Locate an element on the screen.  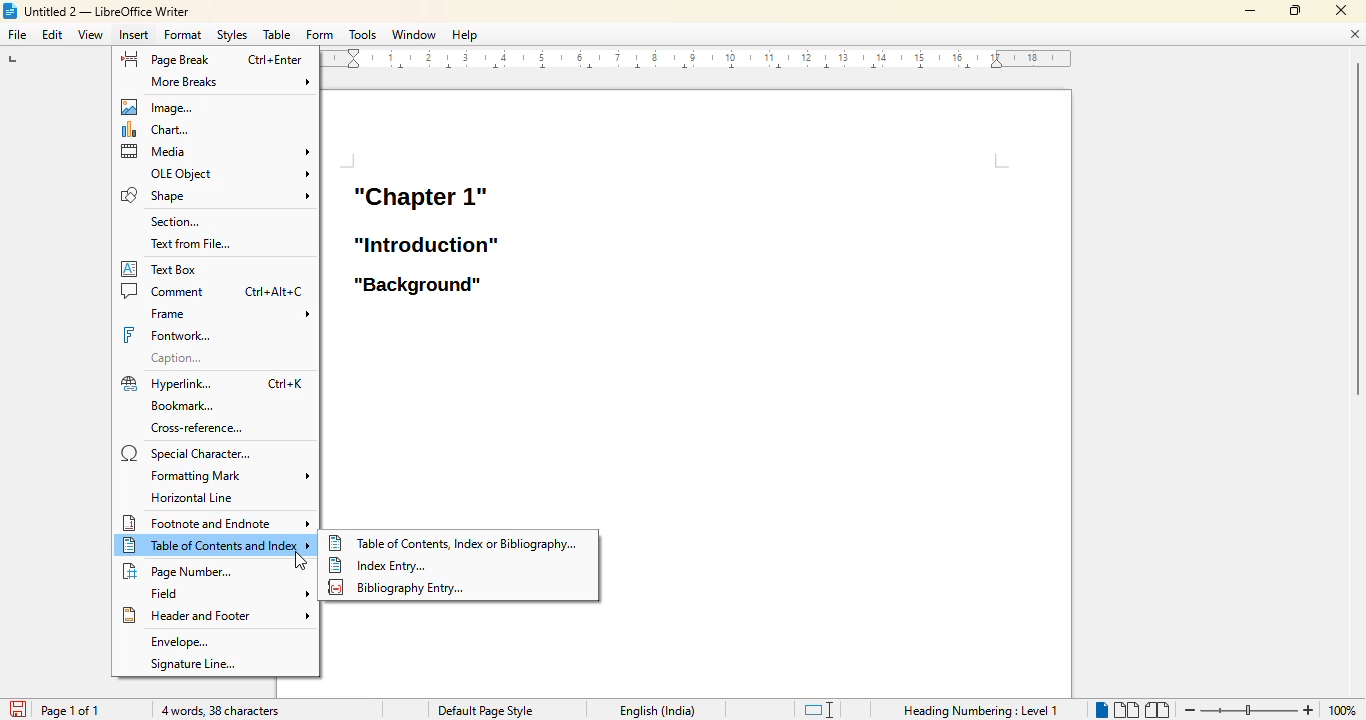
zoom out is located at coordinates (1188, 711).